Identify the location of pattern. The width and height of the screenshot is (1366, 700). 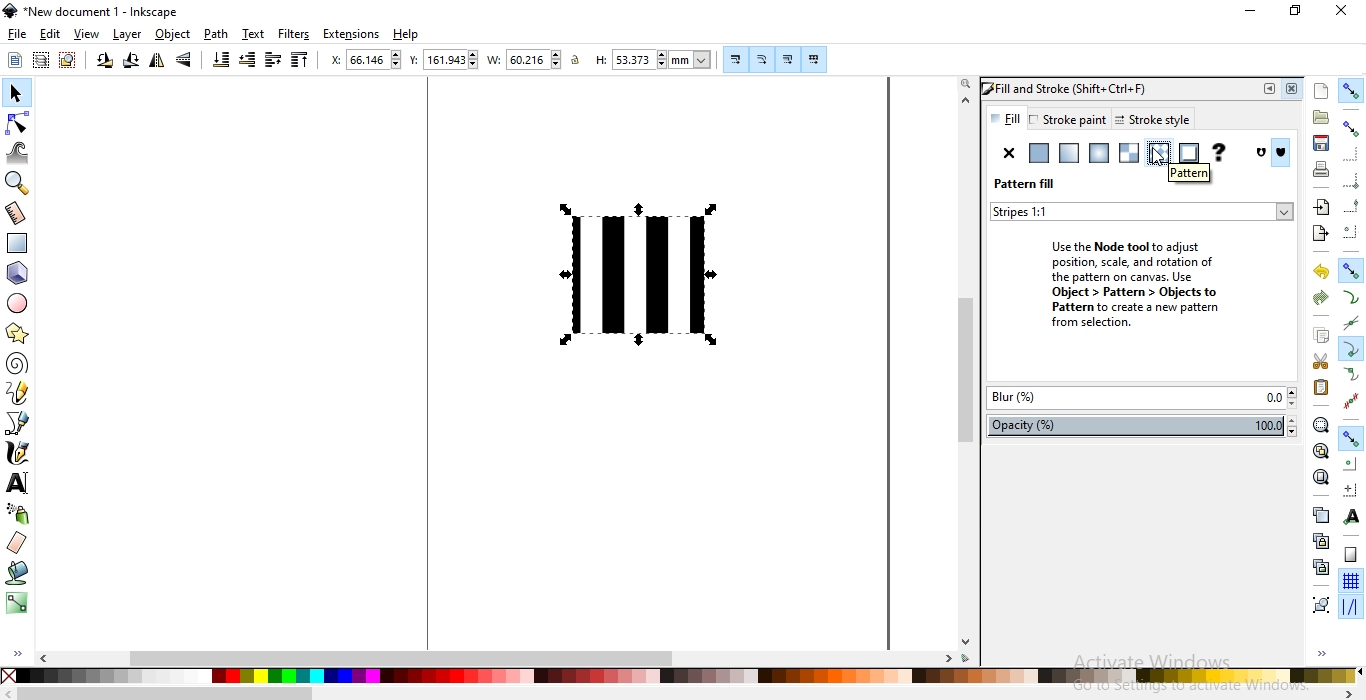
(1157, 154).